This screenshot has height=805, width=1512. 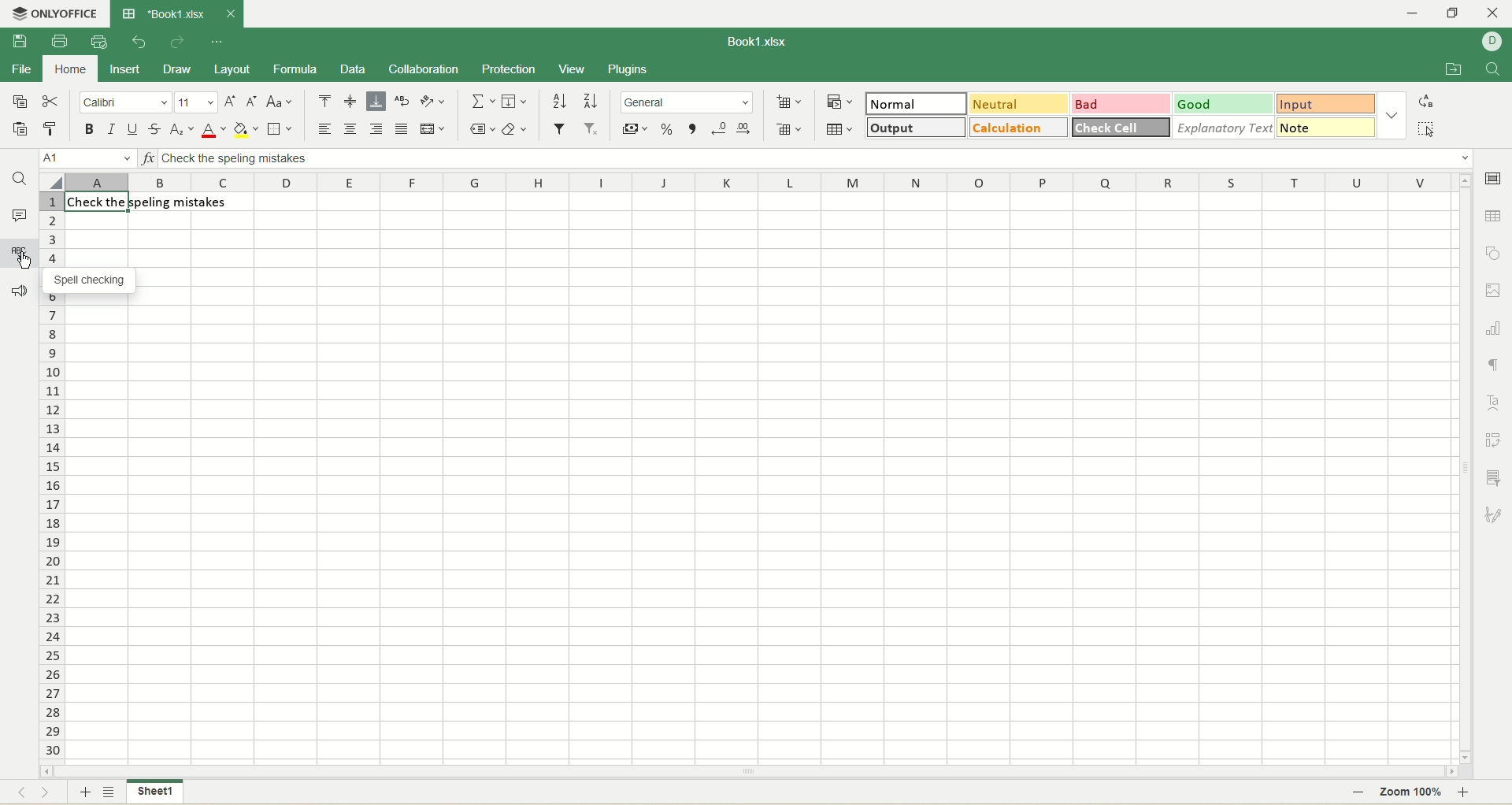 I want to click on summation, so click(x=481, y=100).